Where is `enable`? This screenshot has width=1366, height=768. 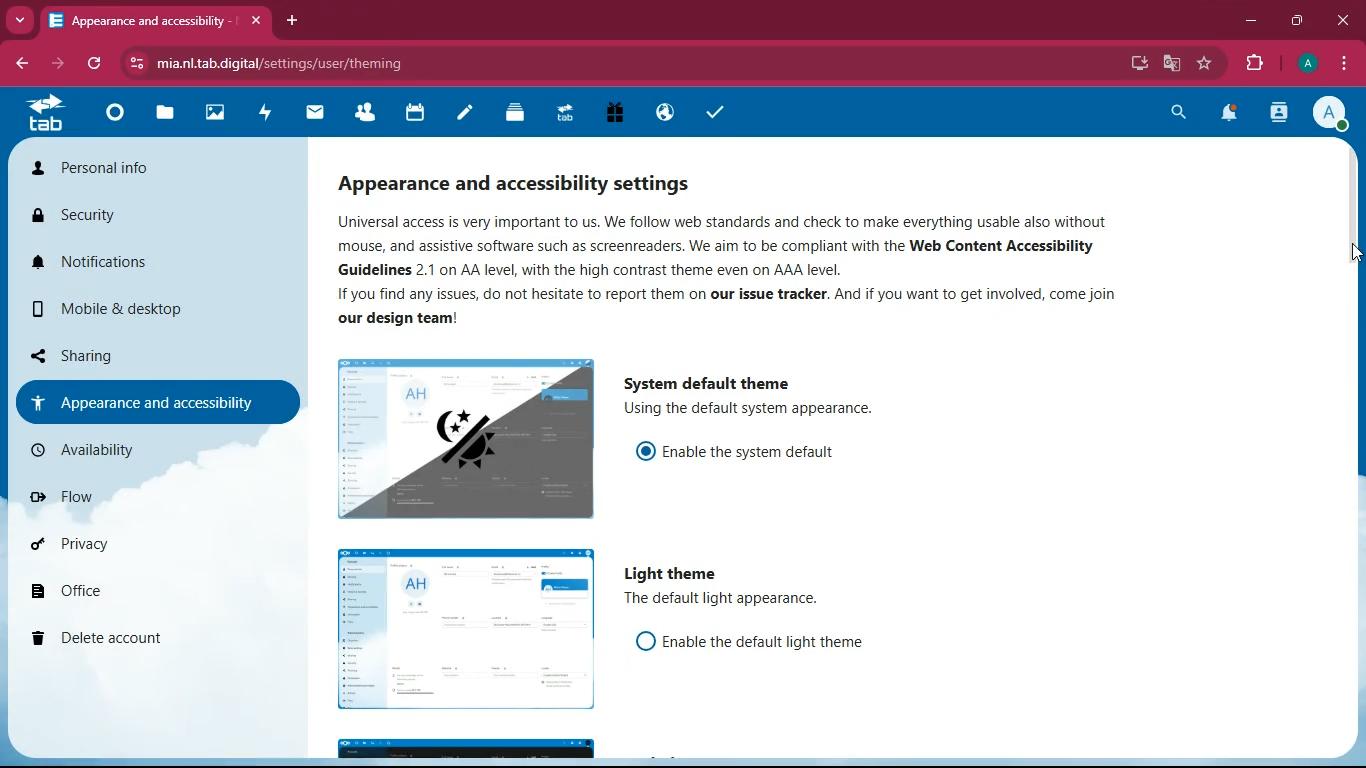 enable is located at coordinates (762, 453).